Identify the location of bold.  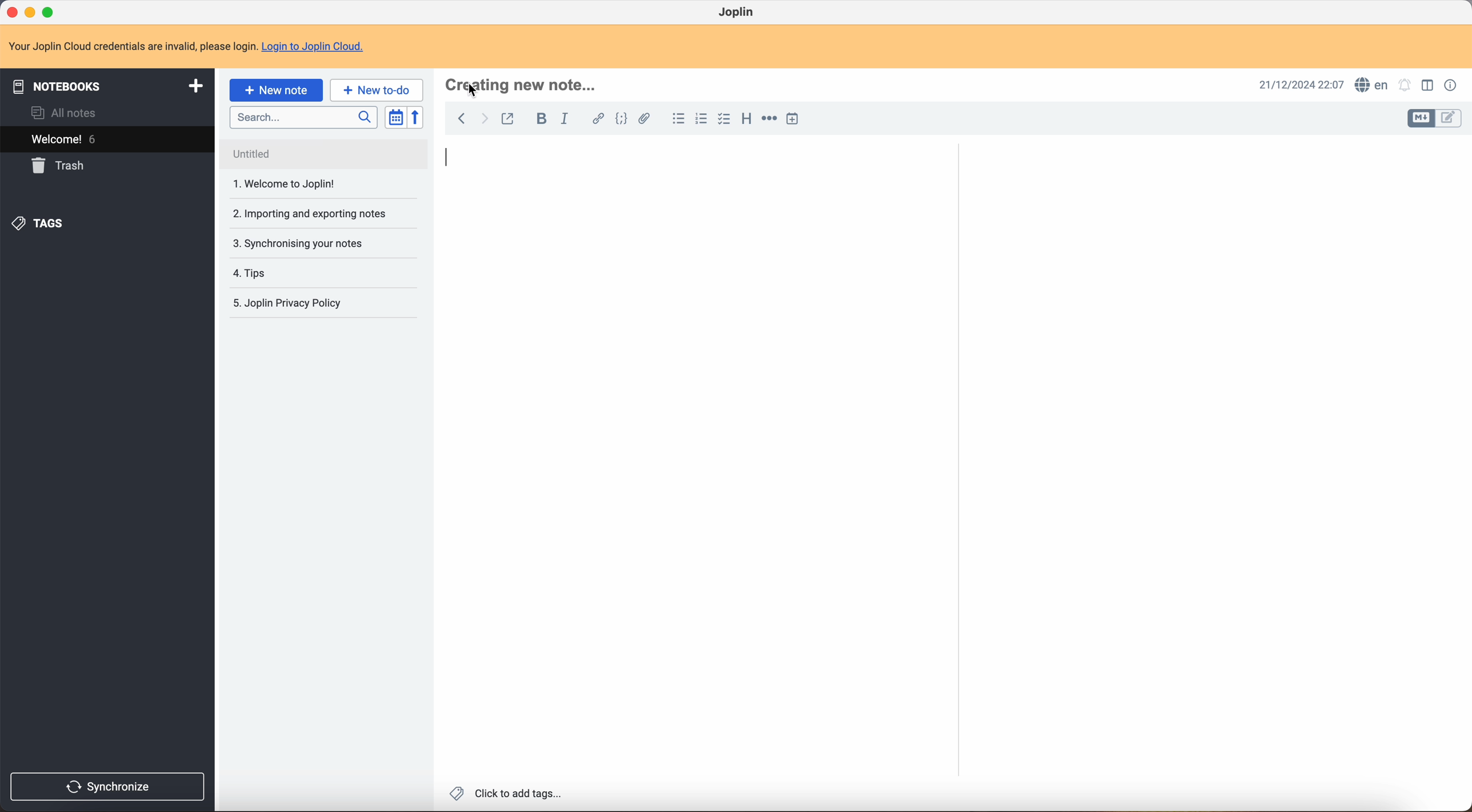
(543, 118).